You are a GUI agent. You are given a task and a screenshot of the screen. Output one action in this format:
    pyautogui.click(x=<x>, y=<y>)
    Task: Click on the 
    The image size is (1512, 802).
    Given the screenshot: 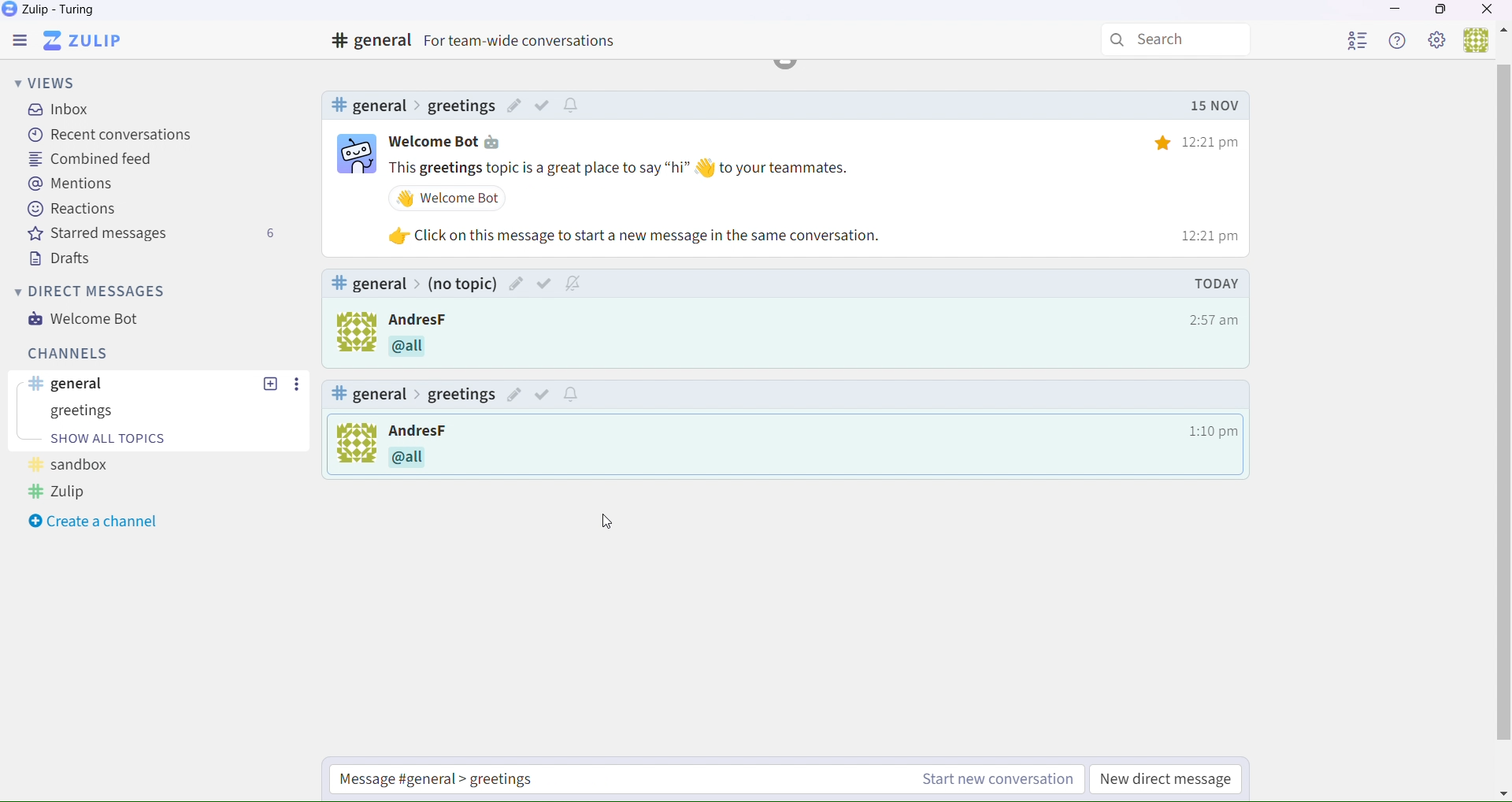 What is the action you would take?
    pyautogui.click(x=269, y=384)
    